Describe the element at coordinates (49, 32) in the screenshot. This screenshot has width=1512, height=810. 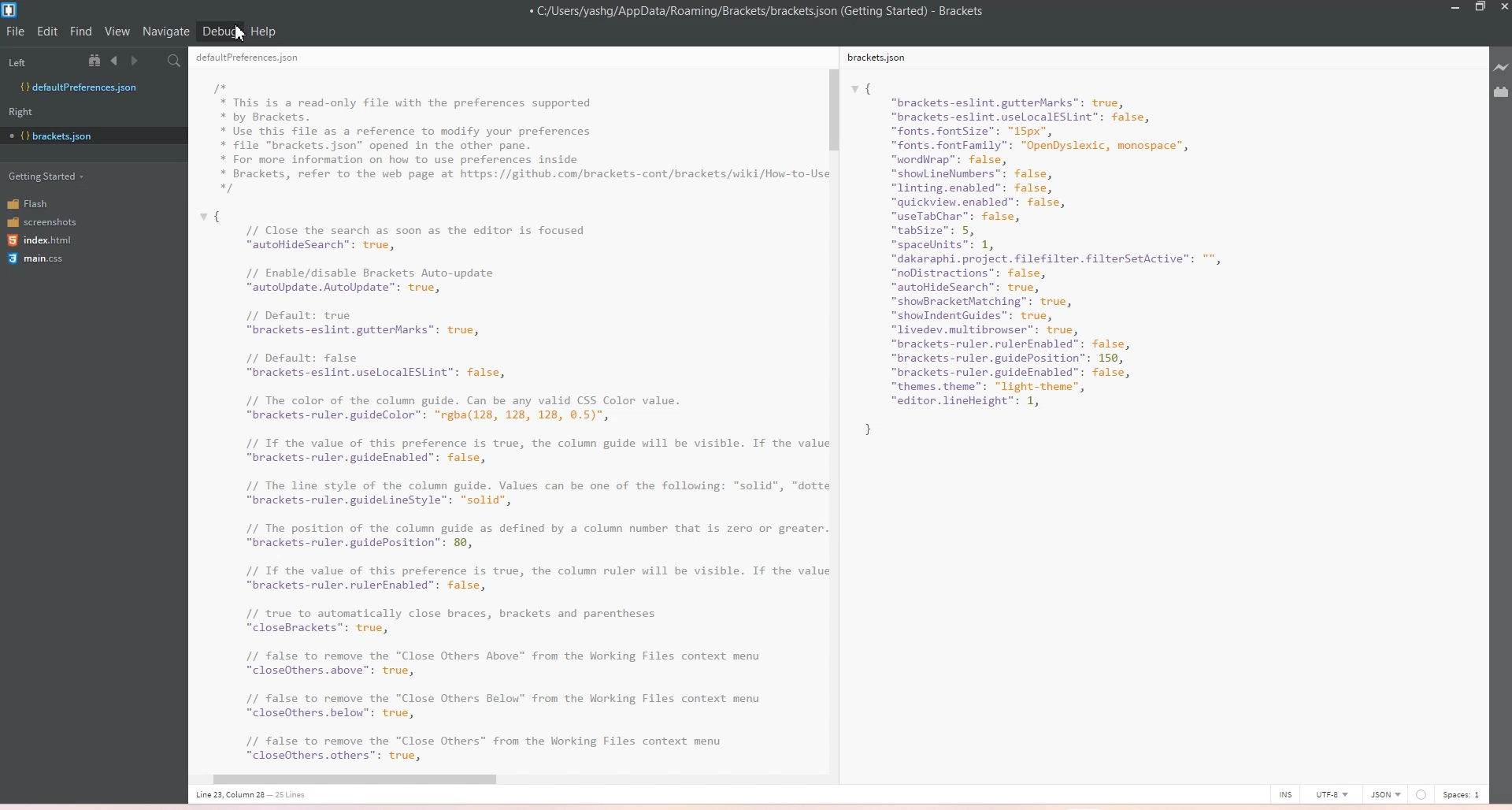
I see `Edit` at that location.